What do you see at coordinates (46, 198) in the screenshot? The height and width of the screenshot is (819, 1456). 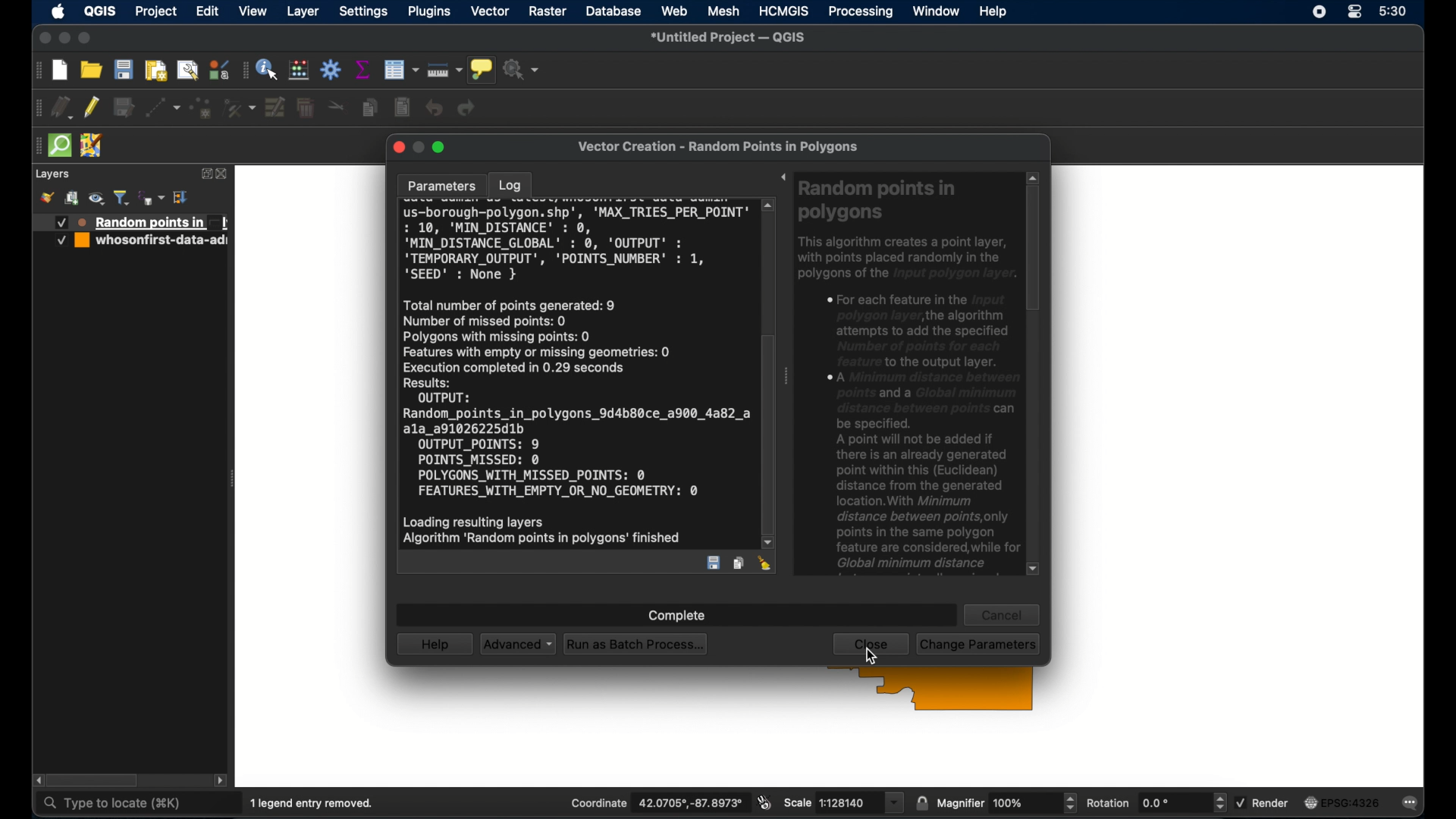 I see `style manager` at bounding box center [46, 198].